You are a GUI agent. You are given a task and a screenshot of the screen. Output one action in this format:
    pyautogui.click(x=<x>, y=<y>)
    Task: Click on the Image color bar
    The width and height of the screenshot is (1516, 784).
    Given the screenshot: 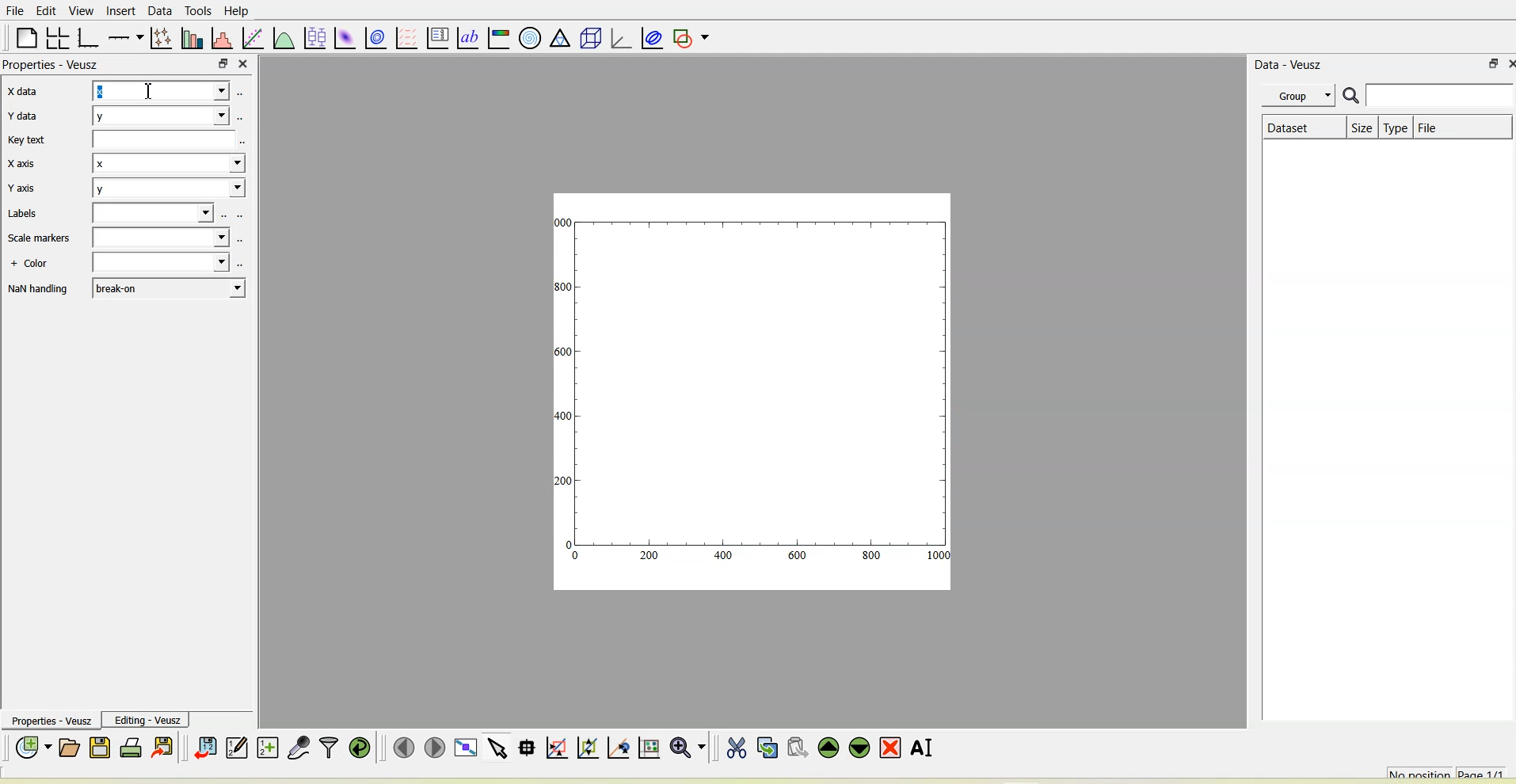 What is the action you would take?
    pyautogui.click(x=498, y=36)
    